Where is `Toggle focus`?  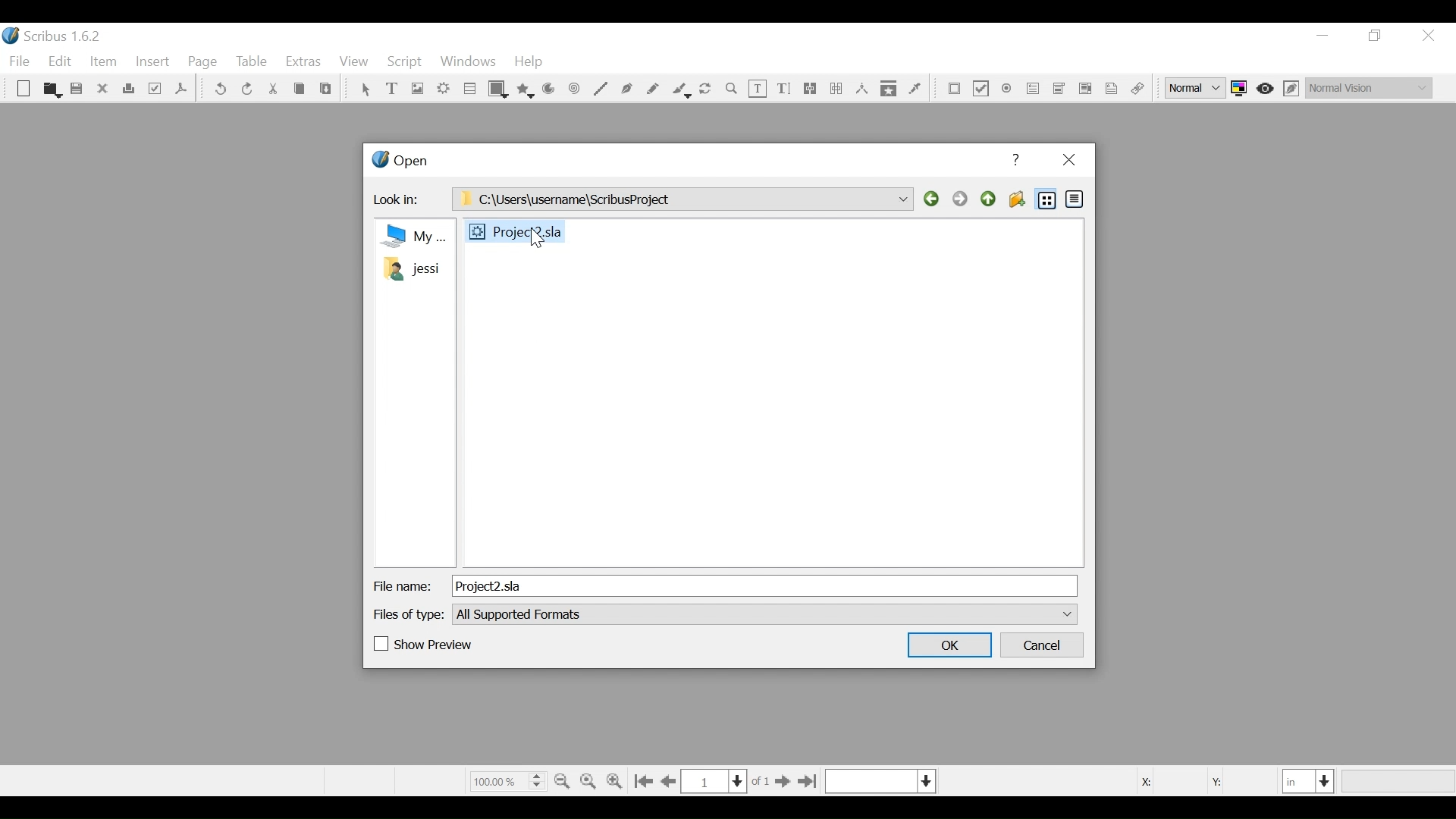
Toggle focus is located at coordinates (1266, 88).